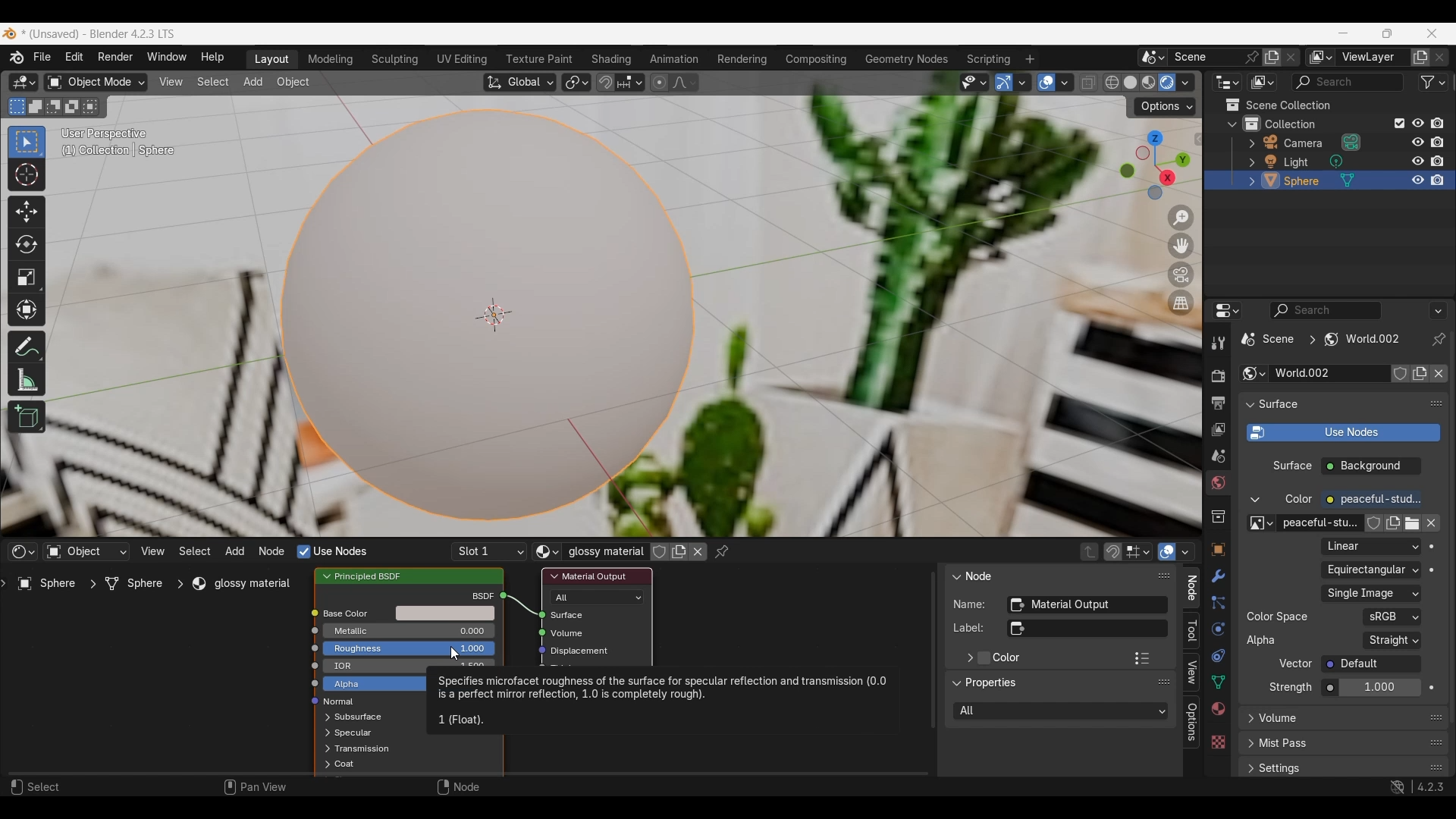 This screenshot has height=819, width=1456. What do you see at coordinates (1343, 33) in the screenshot?
I see `Minimize` at bounding box center [1343, 33].